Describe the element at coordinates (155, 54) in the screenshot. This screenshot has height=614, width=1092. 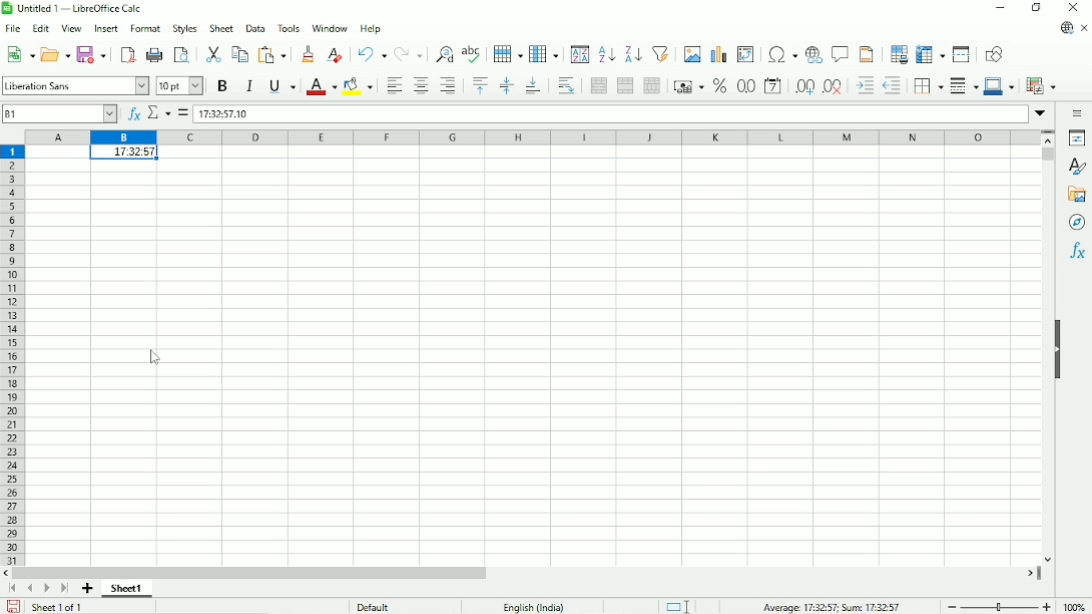
I see `Print` at that location.